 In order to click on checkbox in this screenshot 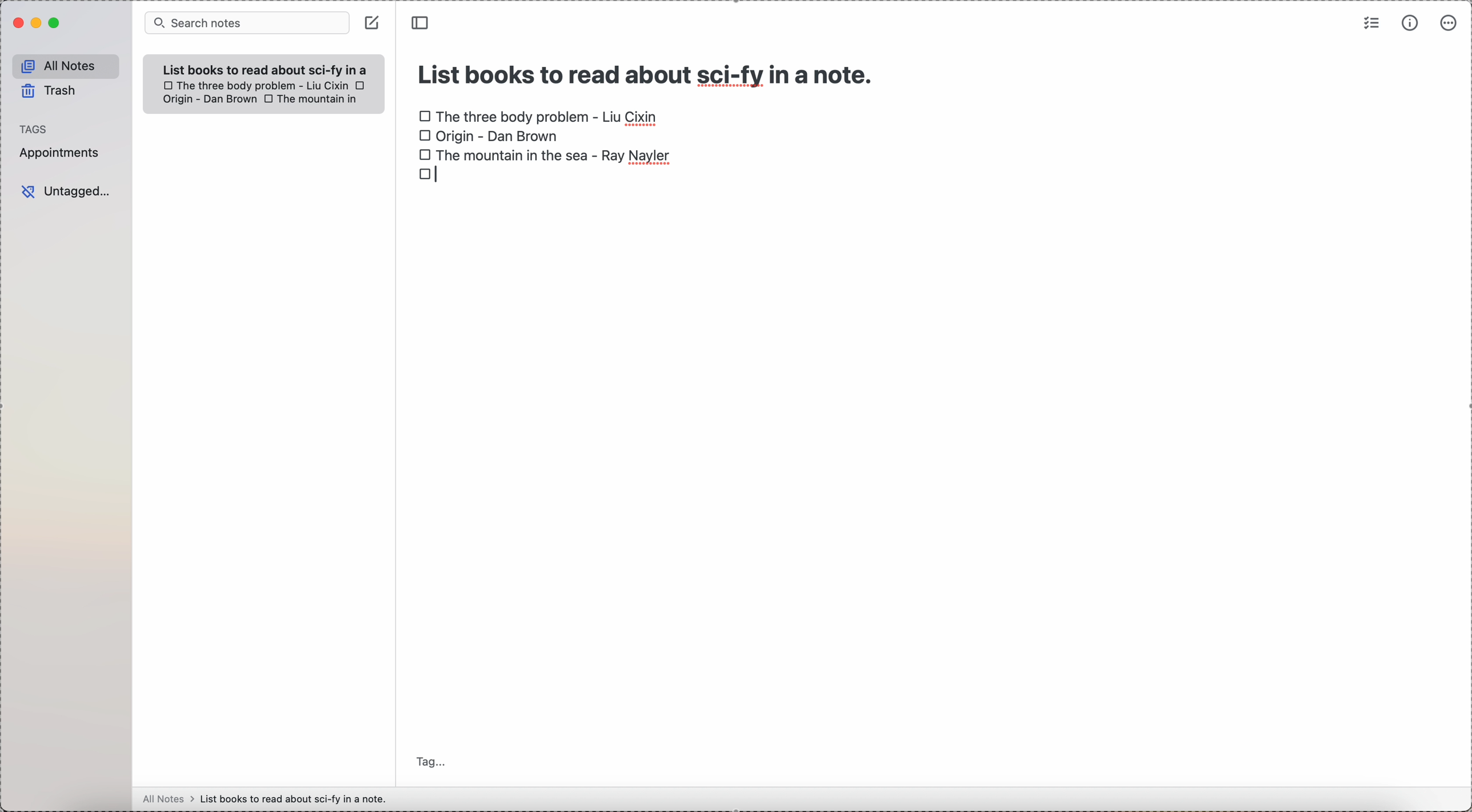, I will do `click(362, 85)`.